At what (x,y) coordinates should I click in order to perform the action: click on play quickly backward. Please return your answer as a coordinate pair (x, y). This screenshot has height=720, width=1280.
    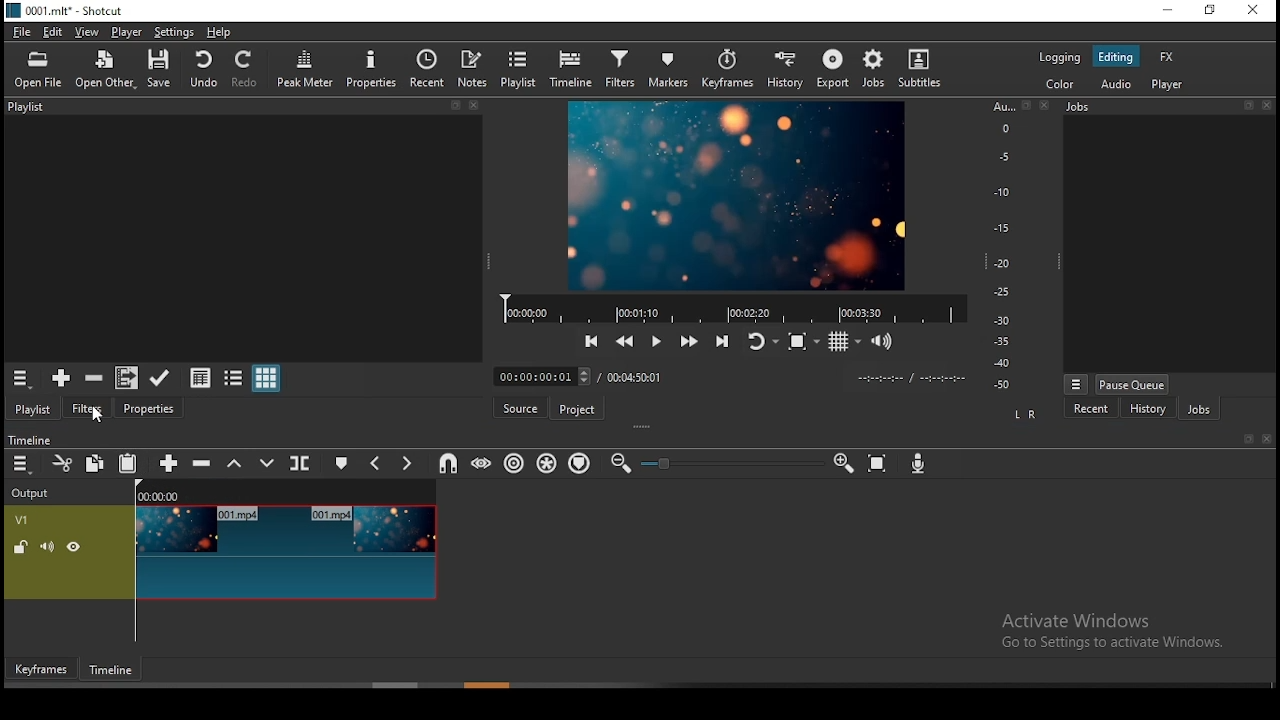
    Looking at the image, I should click on (627, 339).